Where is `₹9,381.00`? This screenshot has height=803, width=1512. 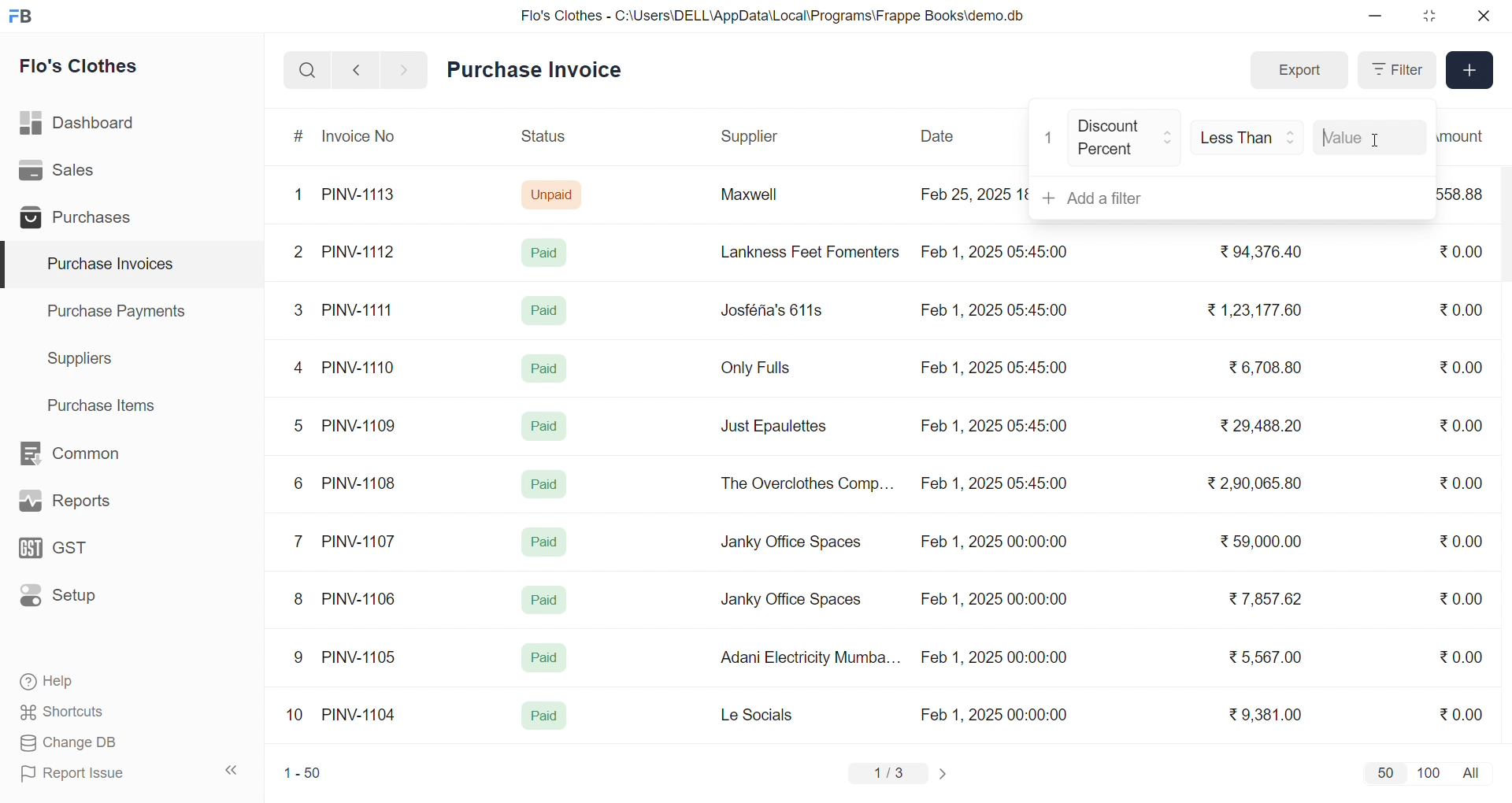 ₹9,381.00 is located at coordinates (1266, 715).